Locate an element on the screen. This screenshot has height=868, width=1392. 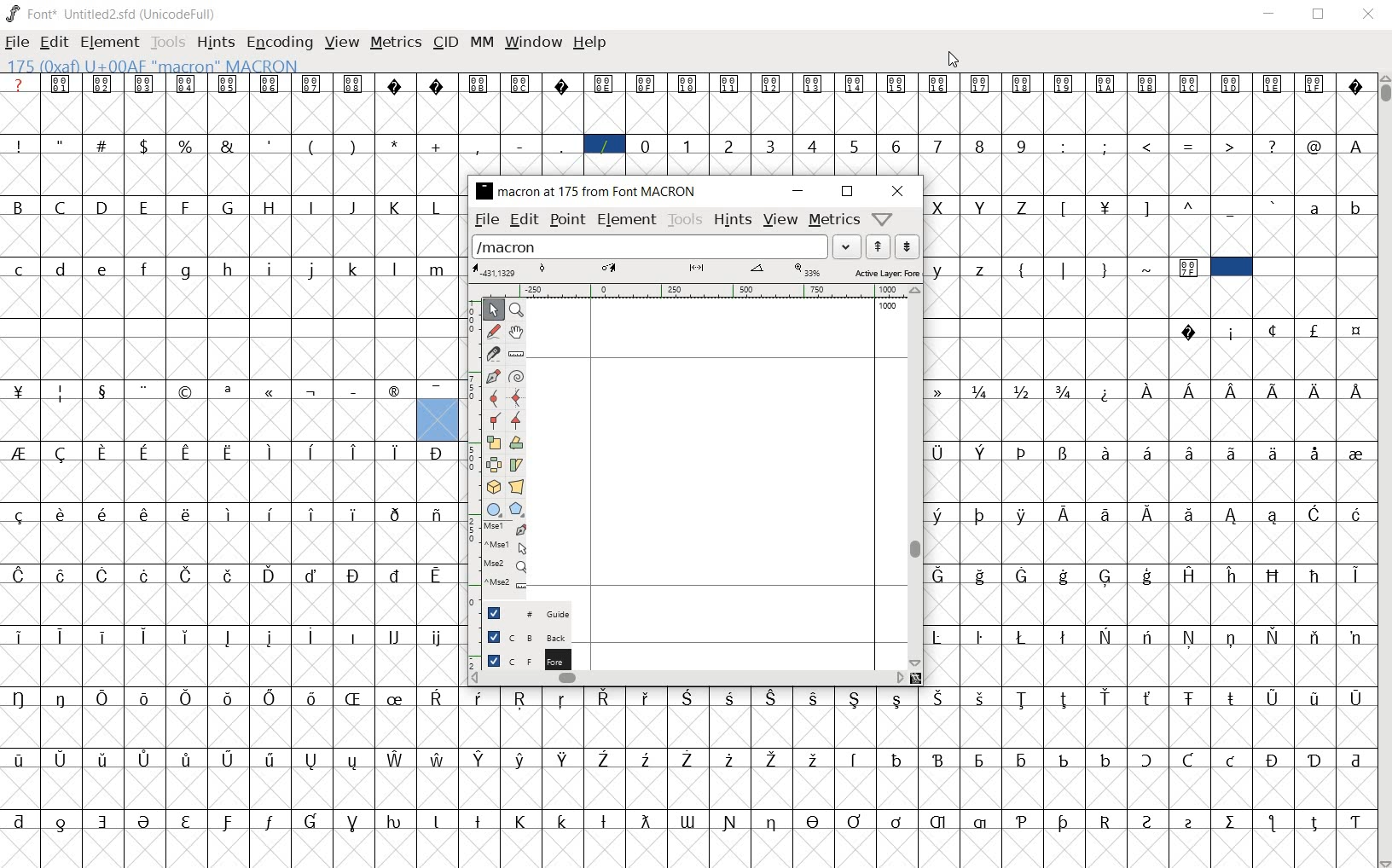
Symbol is located at coordinates (1147, 390).